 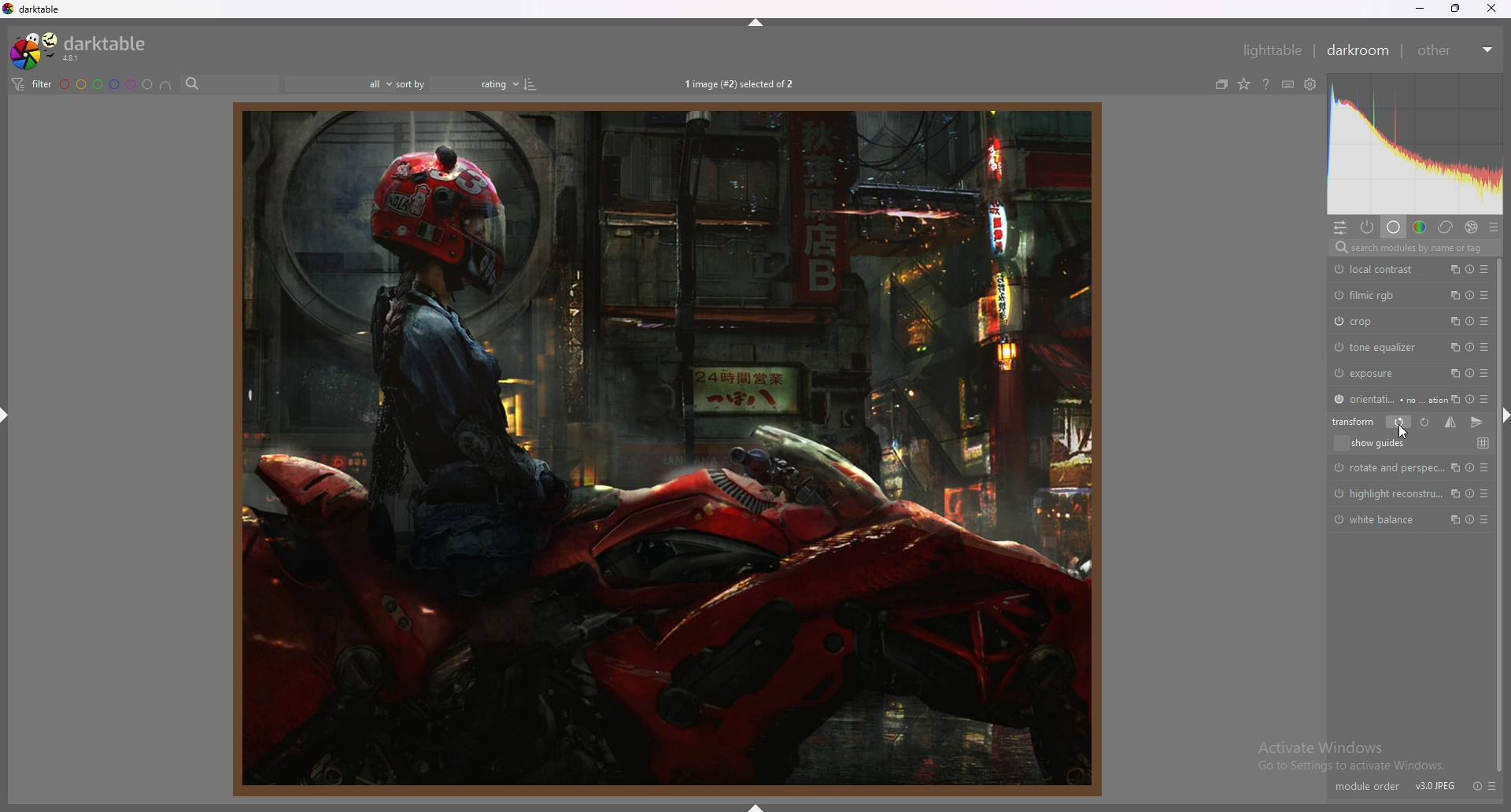 I want to click on reset, so click(x=1470, y=269).